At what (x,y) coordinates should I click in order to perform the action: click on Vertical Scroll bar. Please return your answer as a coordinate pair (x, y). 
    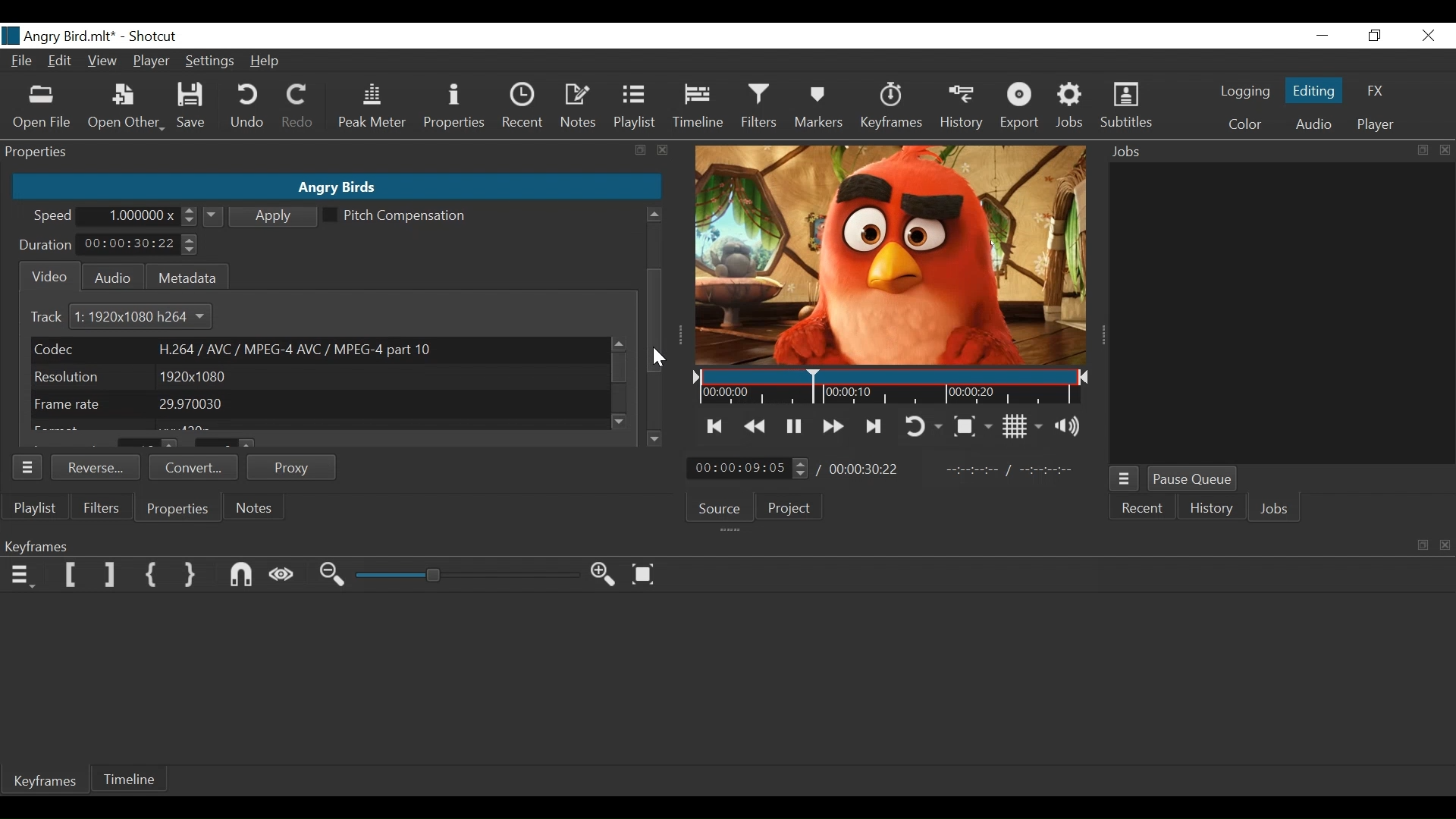
    Looking at the image, I should click on (654, 322).